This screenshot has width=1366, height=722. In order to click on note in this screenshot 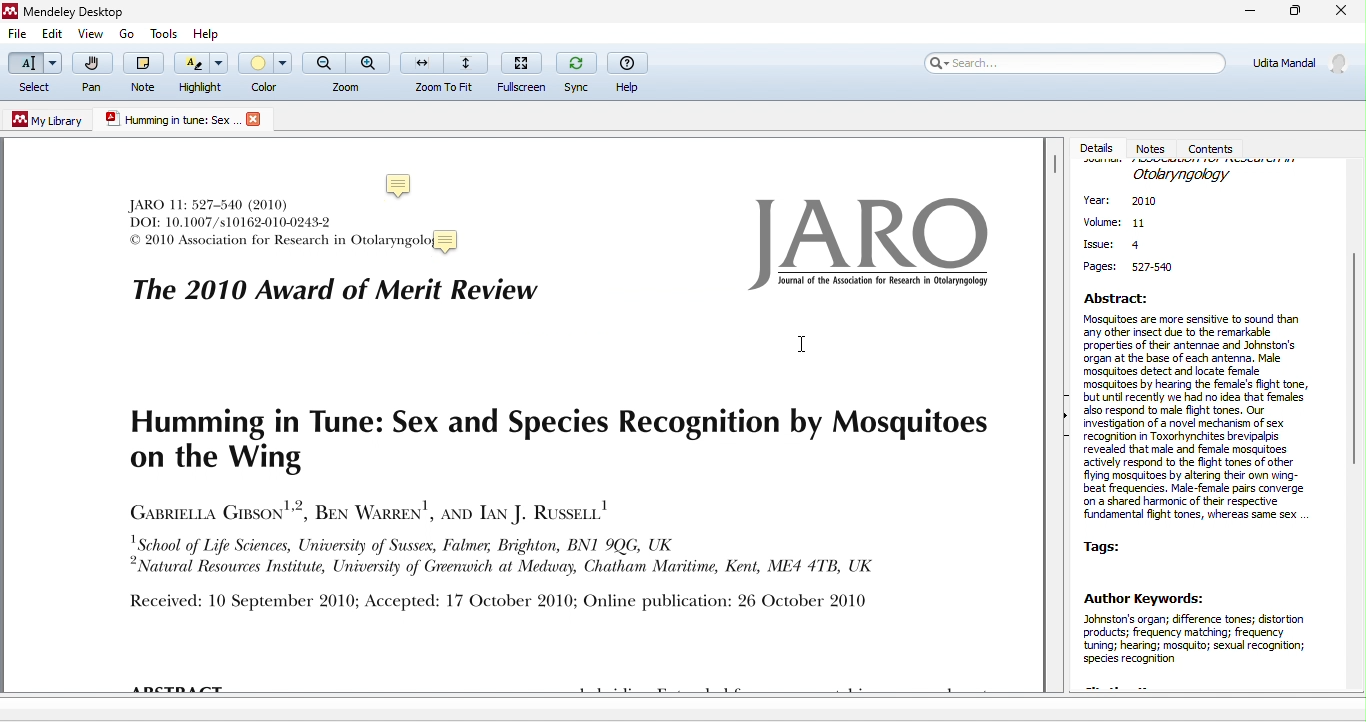, I will do `click(403, 183)`.